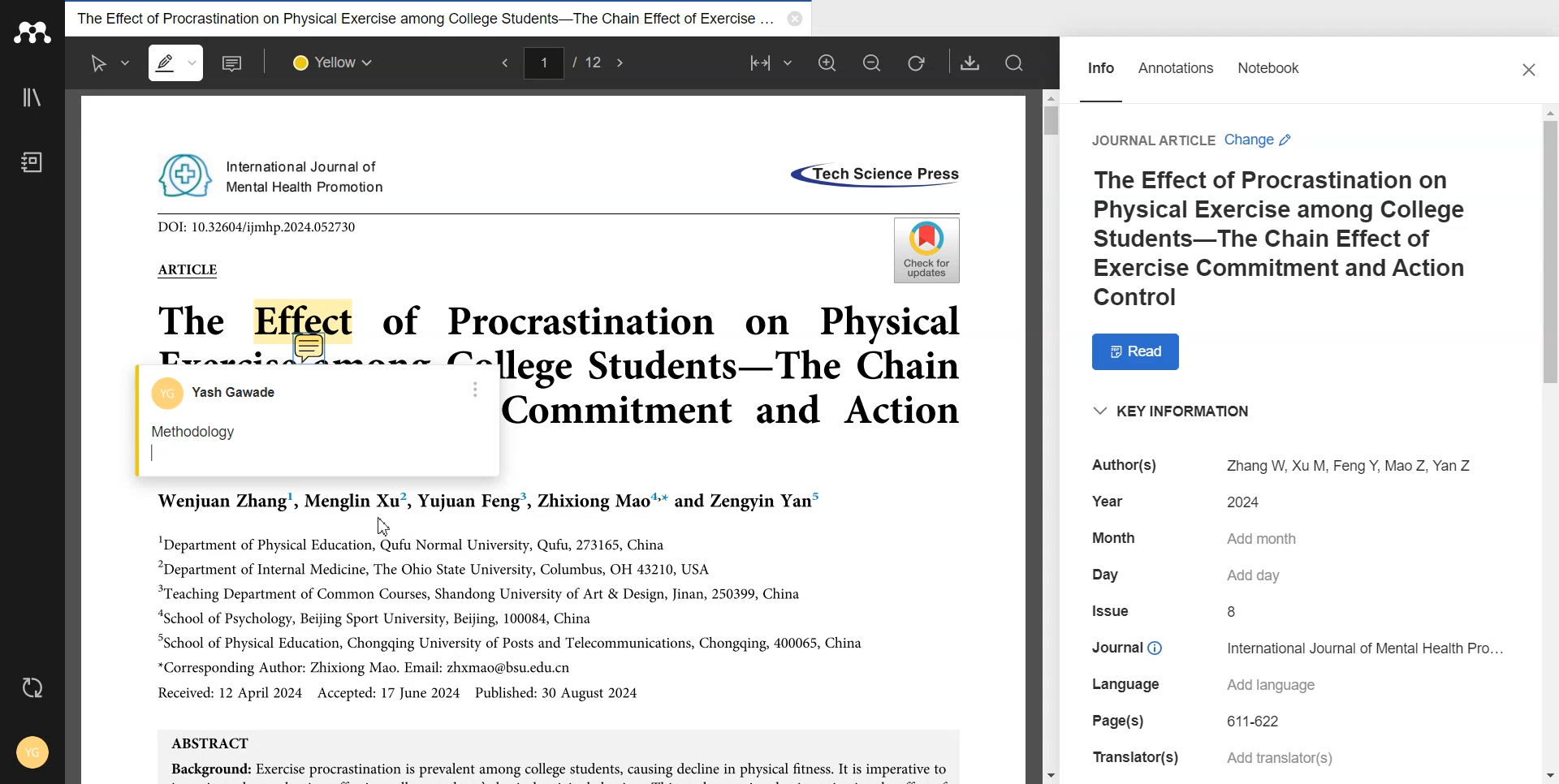 The width and height of the screenshot is (1559, 784). Describe the element at coordinates (274, 174) in the screenshot. I see `International Journal of
Mental Health Promotion` at that location.